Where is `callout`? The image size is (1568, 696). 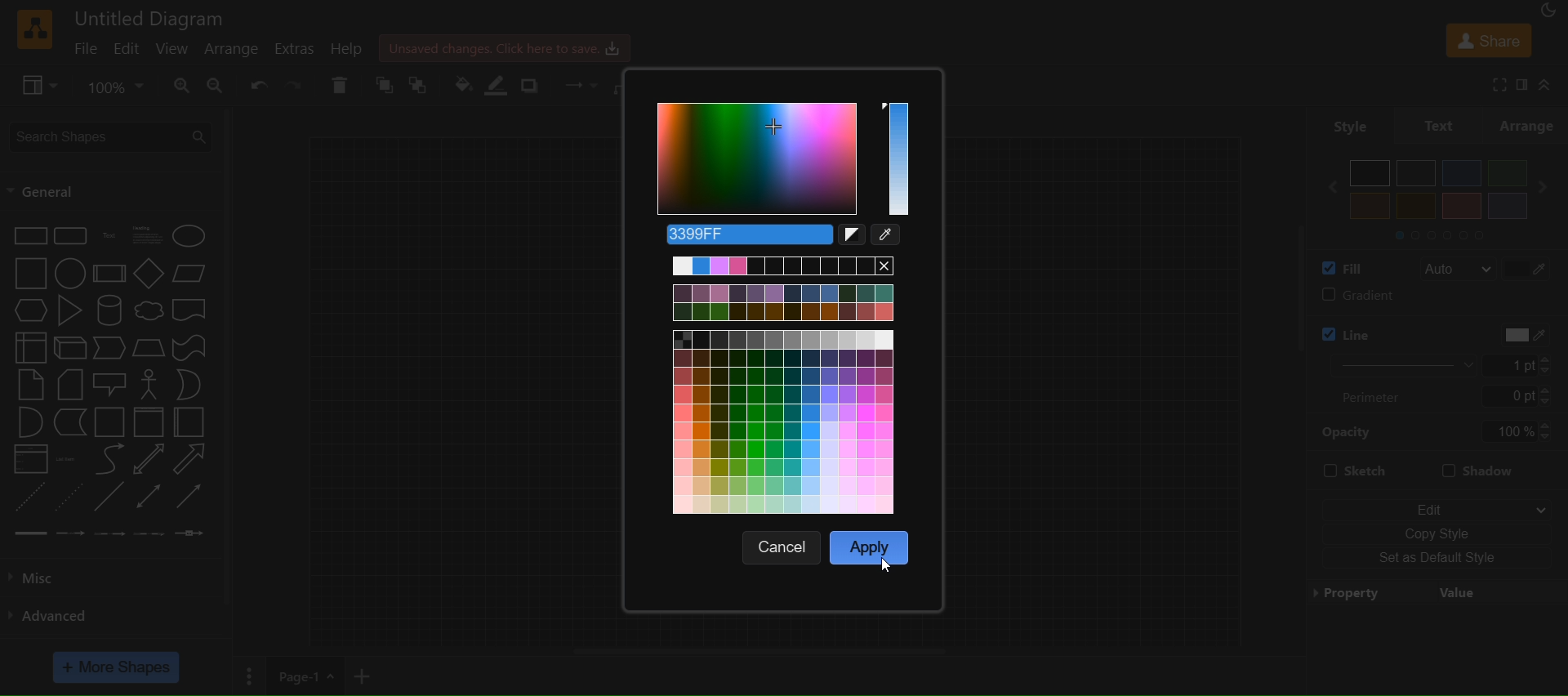 callout is located at coordinates (112, 384).